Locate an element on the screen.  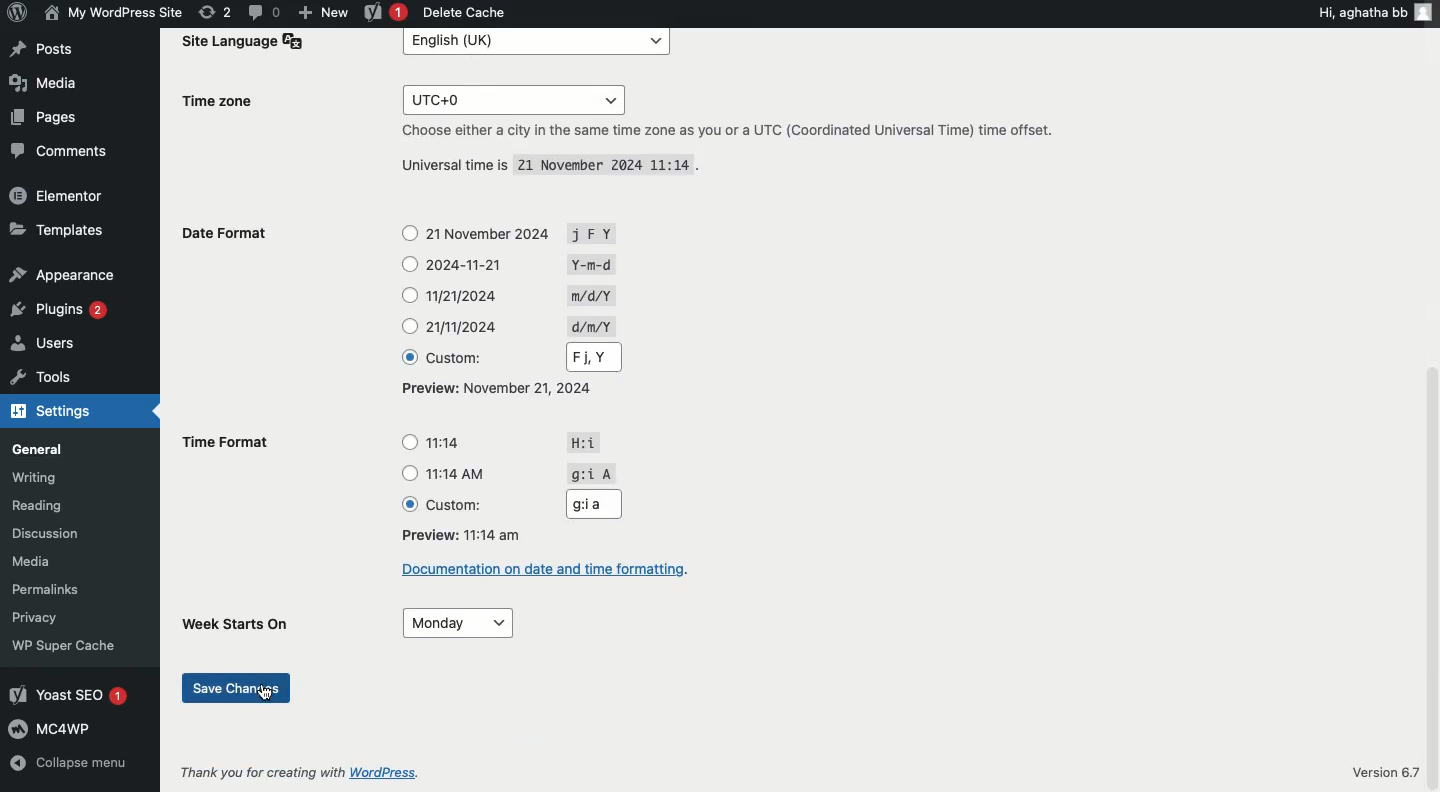
Privacy is located at coordinates (31, 618).